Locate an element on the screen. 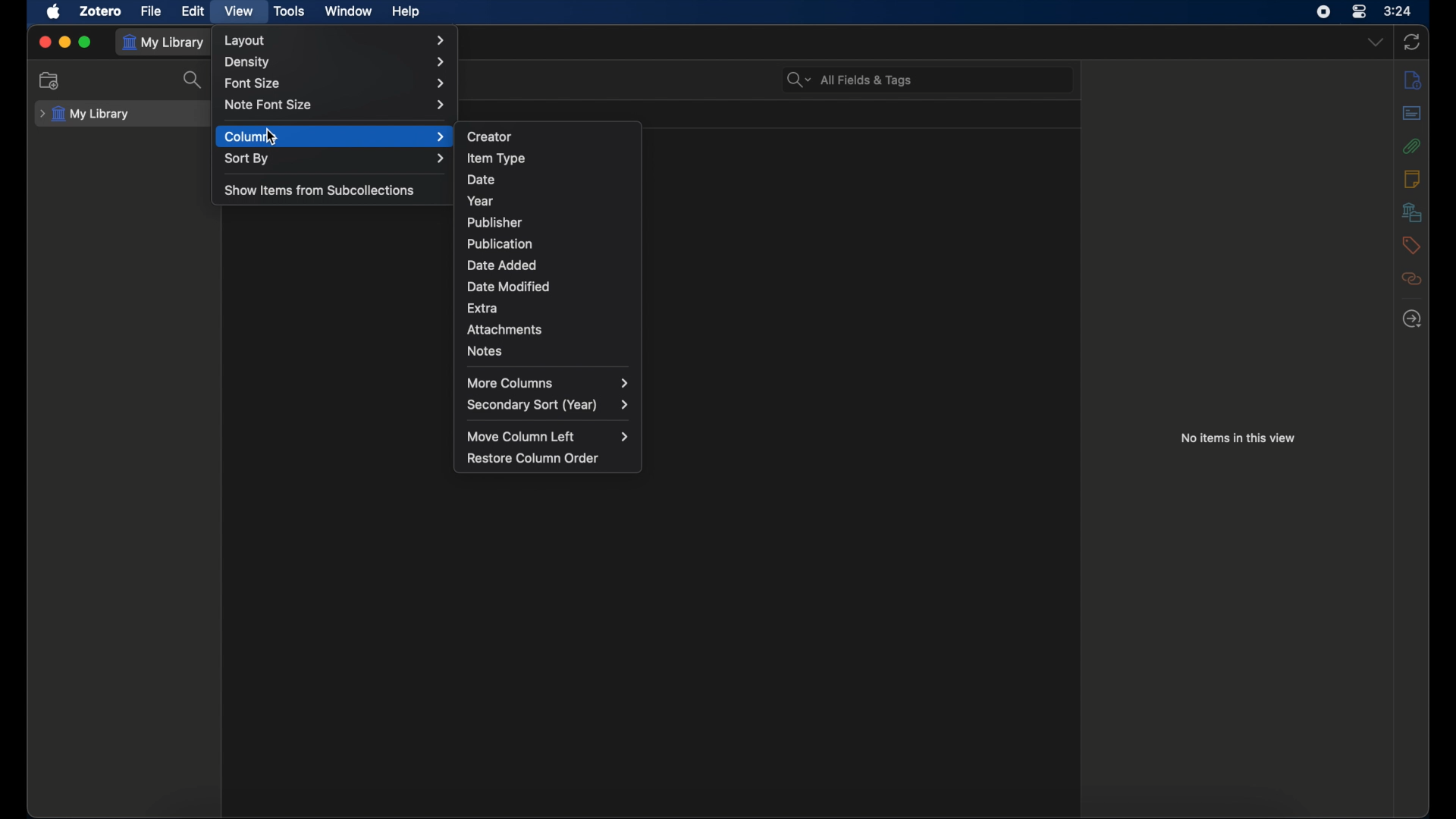  publication is located at coordinates (497, 243).